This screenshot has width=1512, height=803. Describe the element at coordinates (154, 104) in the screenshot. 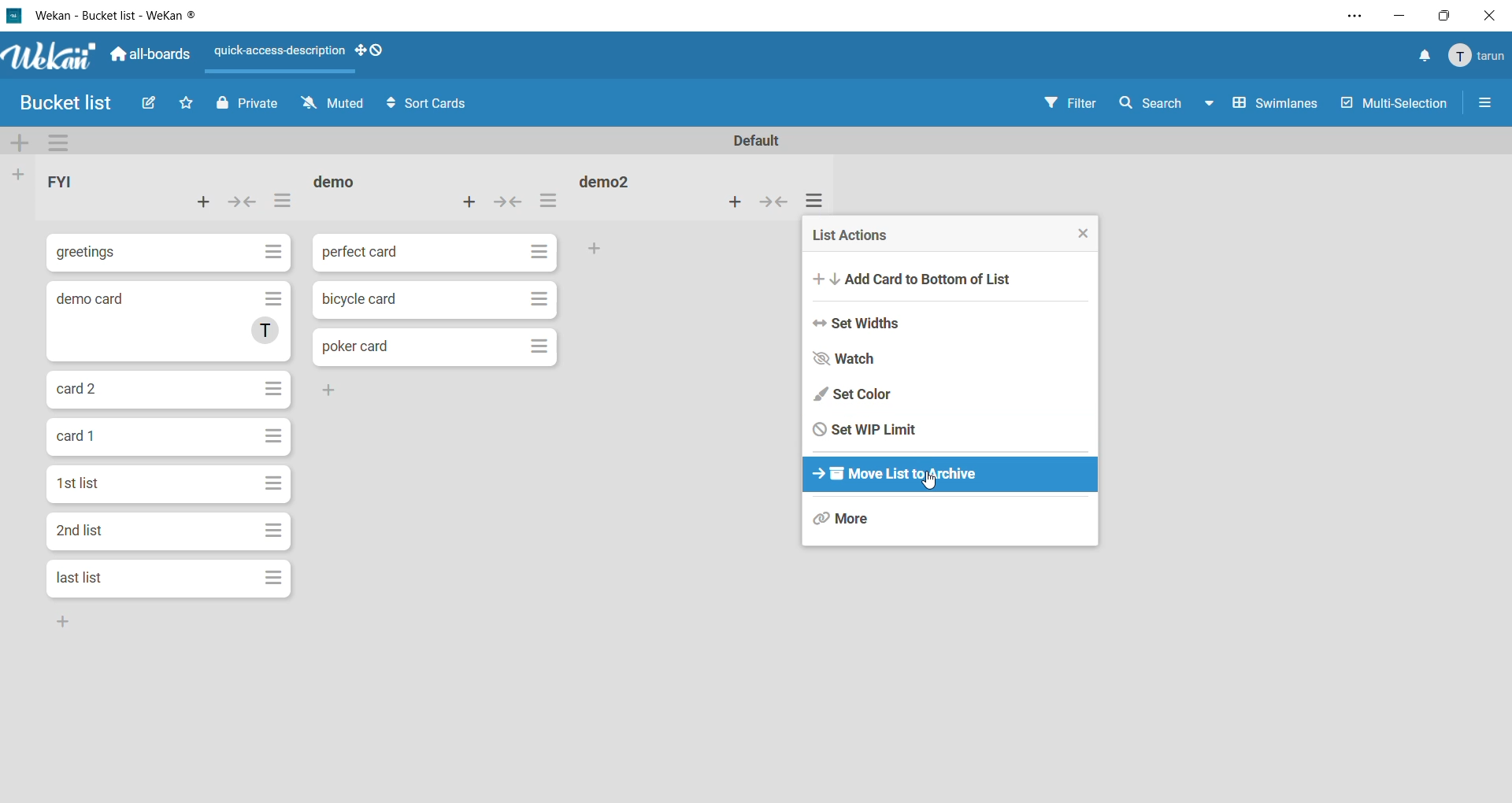

I see `edit` at that location.